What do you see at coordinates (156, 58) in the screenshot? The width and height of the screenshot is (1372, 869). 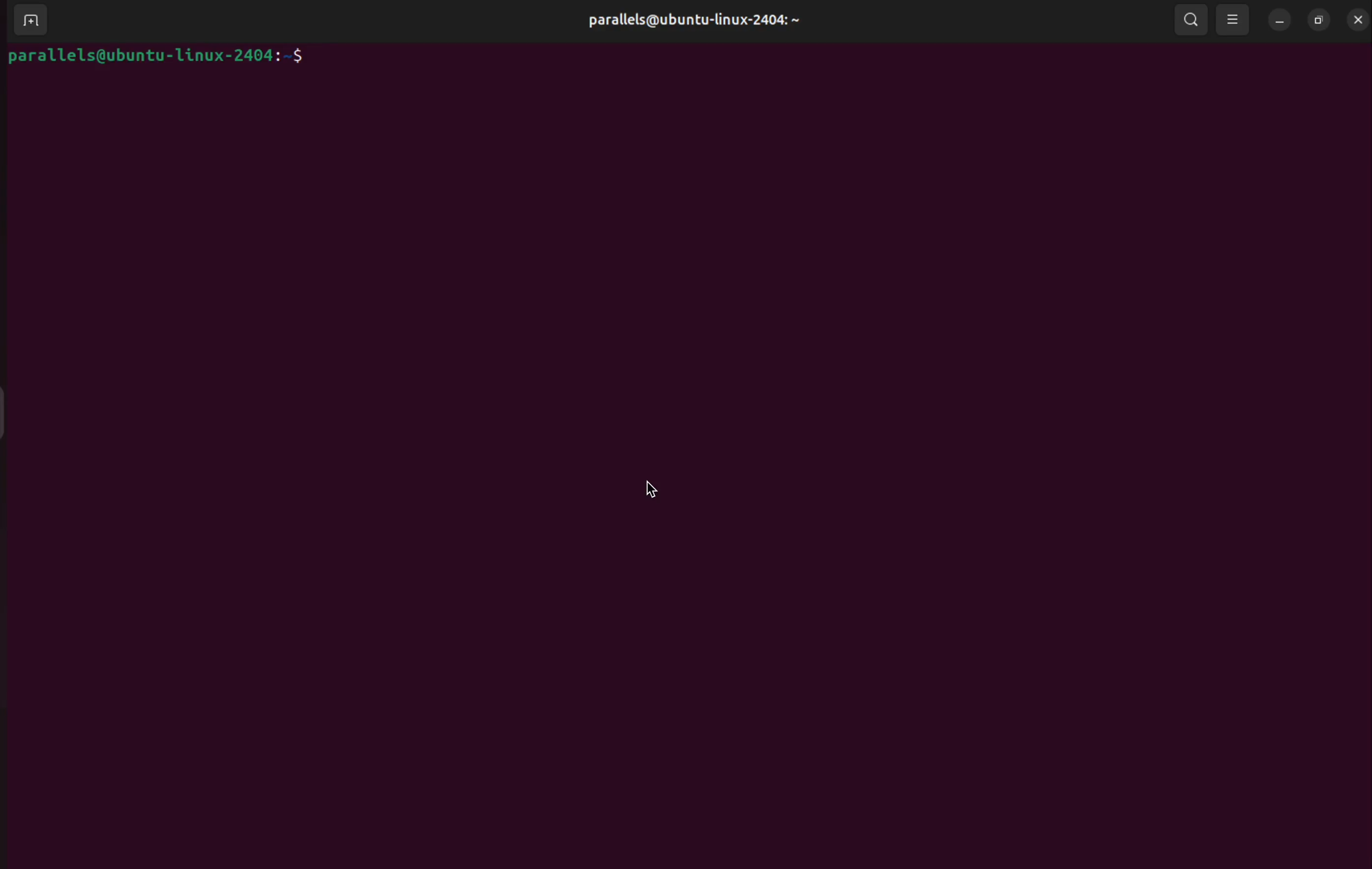 I see `bash prompt` at bounding box center [156, 58].